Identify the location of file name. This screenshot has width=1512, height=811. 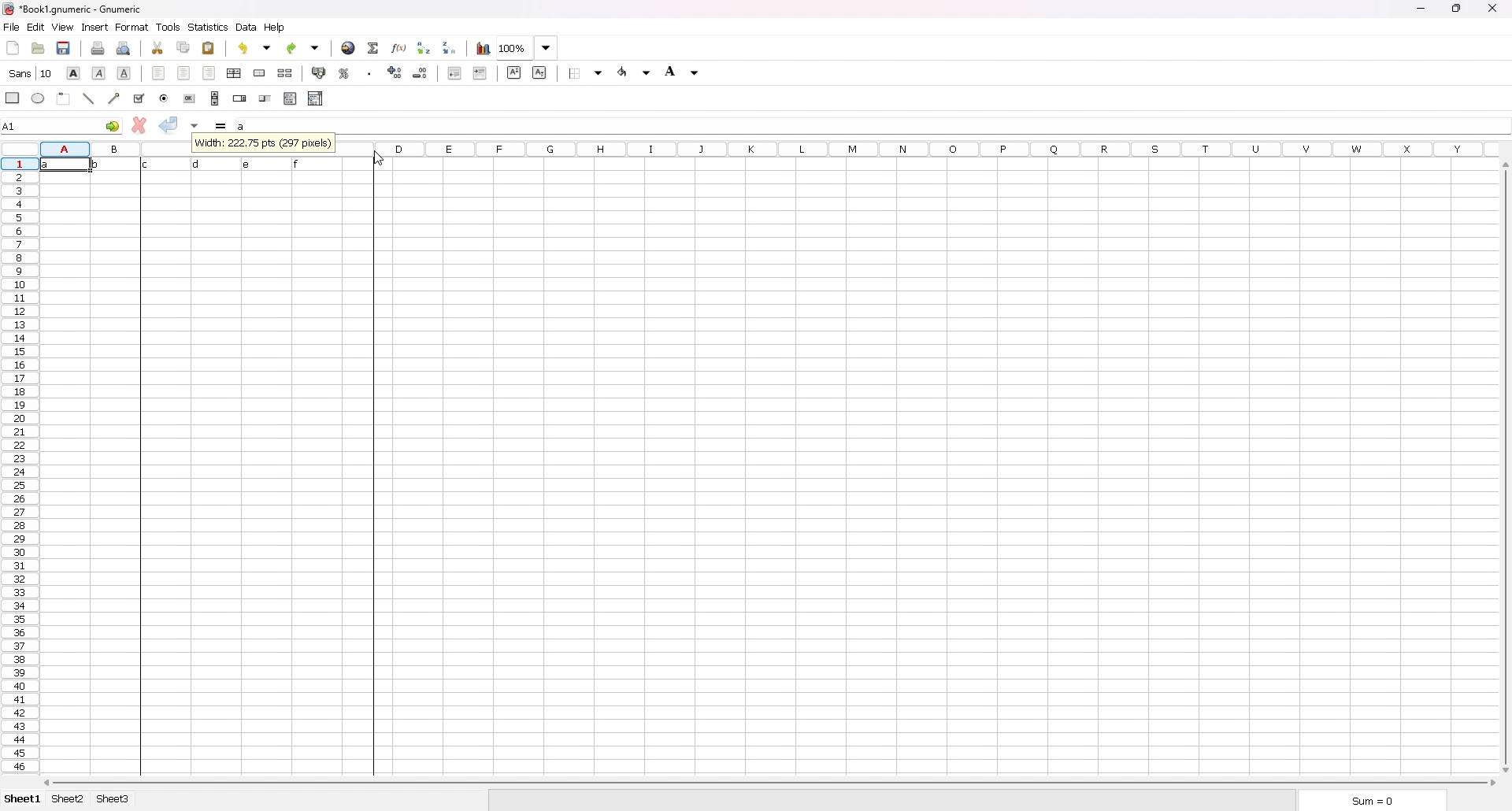
(74, 9).